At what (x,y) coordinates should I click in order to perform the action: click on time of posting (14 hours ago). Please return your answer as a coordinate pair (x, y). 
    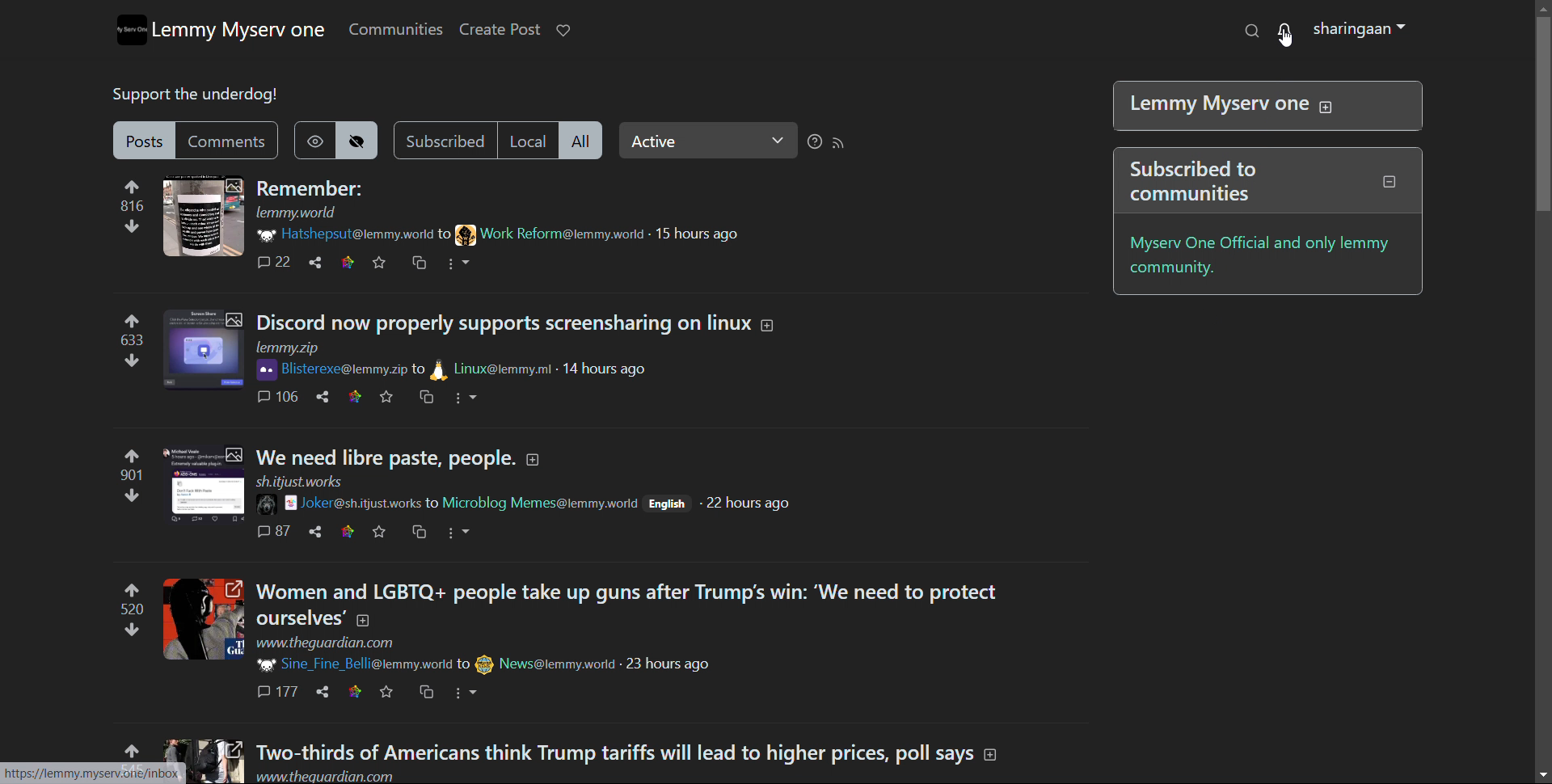
    Looking at the image, I should click on (605, 368).